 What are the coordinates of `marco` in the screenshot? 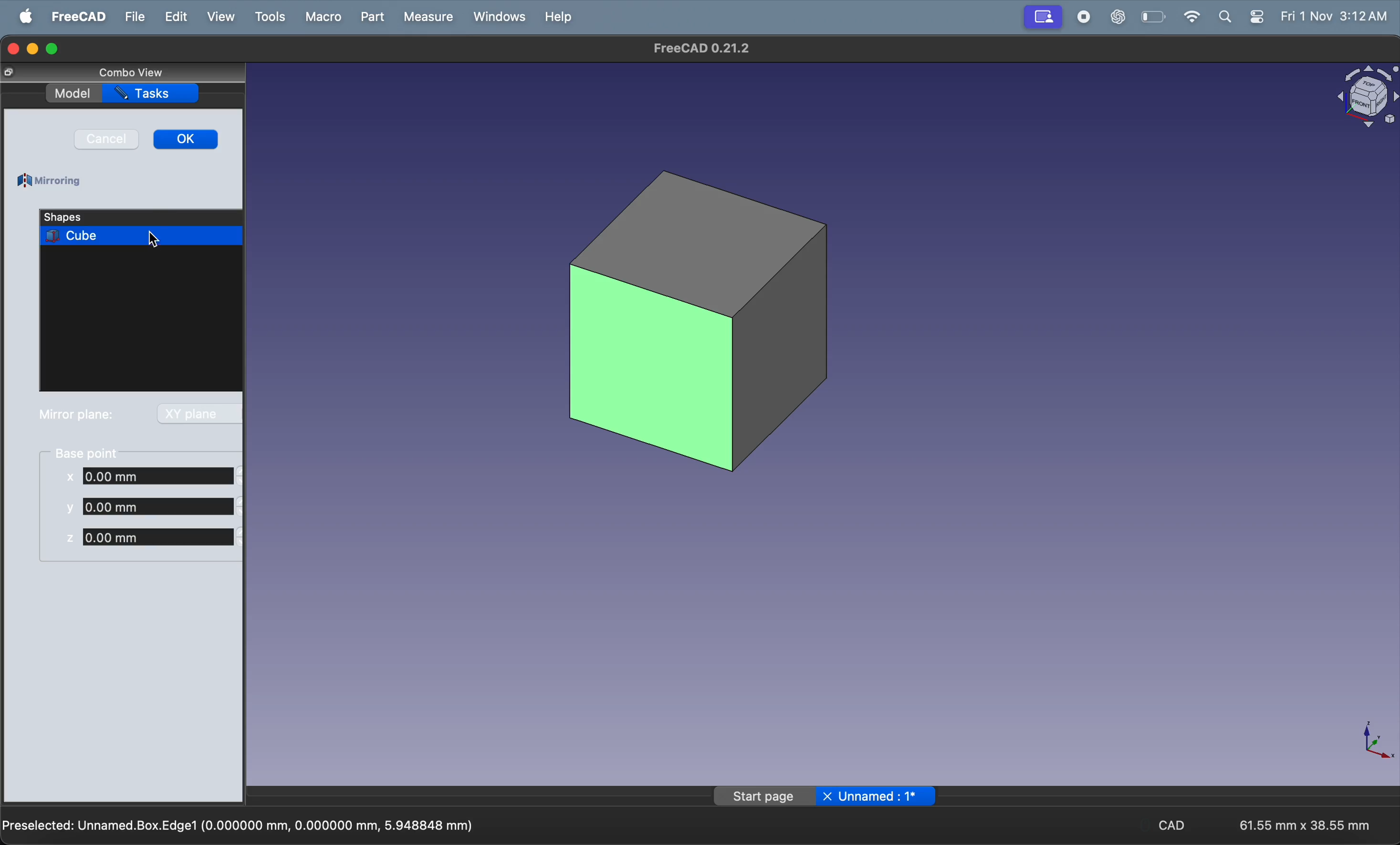 It's located at (323, 17).